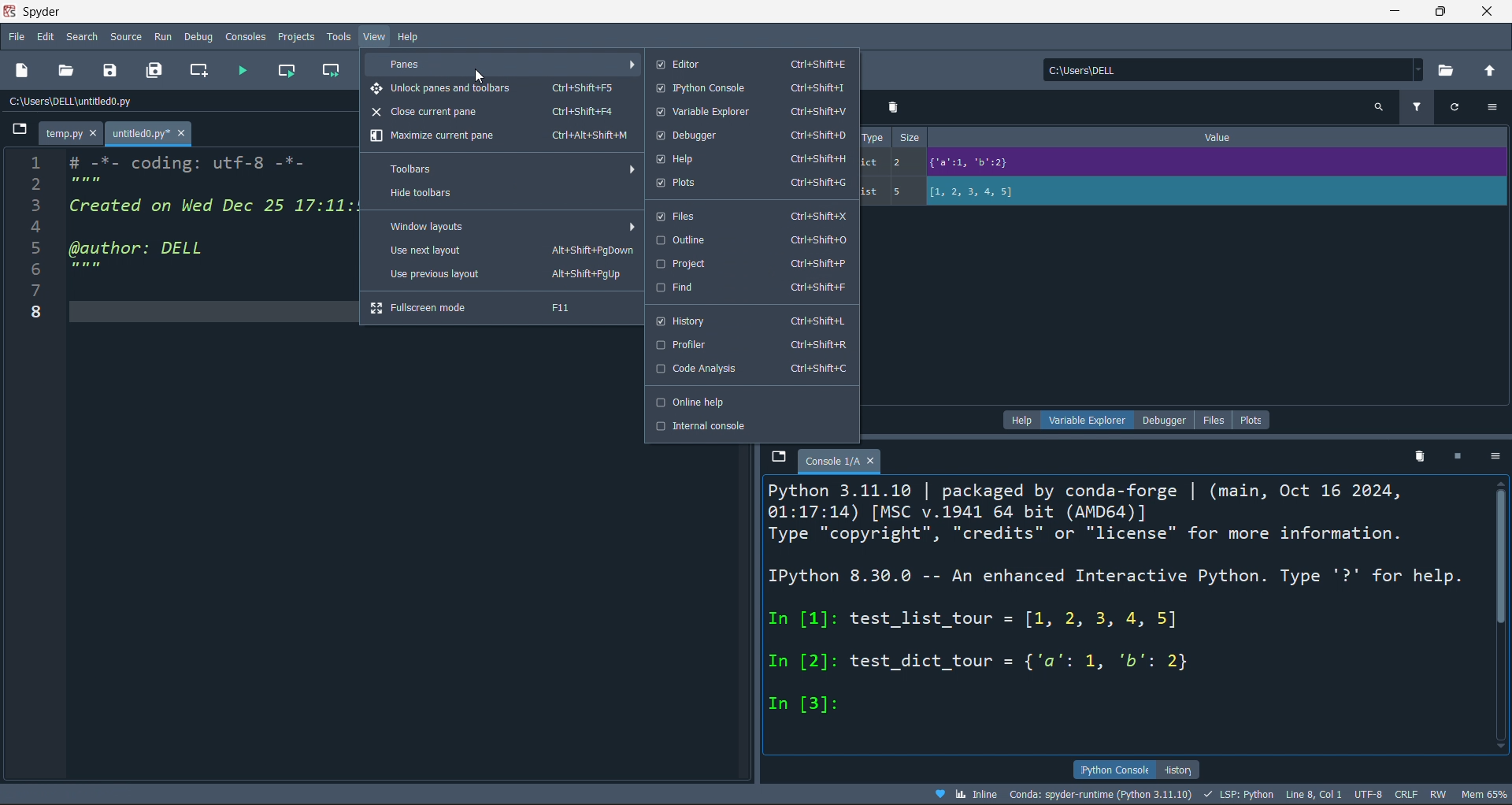 This screenshot has width=1512, height=805. I want to click on new file, so click(22, 72).